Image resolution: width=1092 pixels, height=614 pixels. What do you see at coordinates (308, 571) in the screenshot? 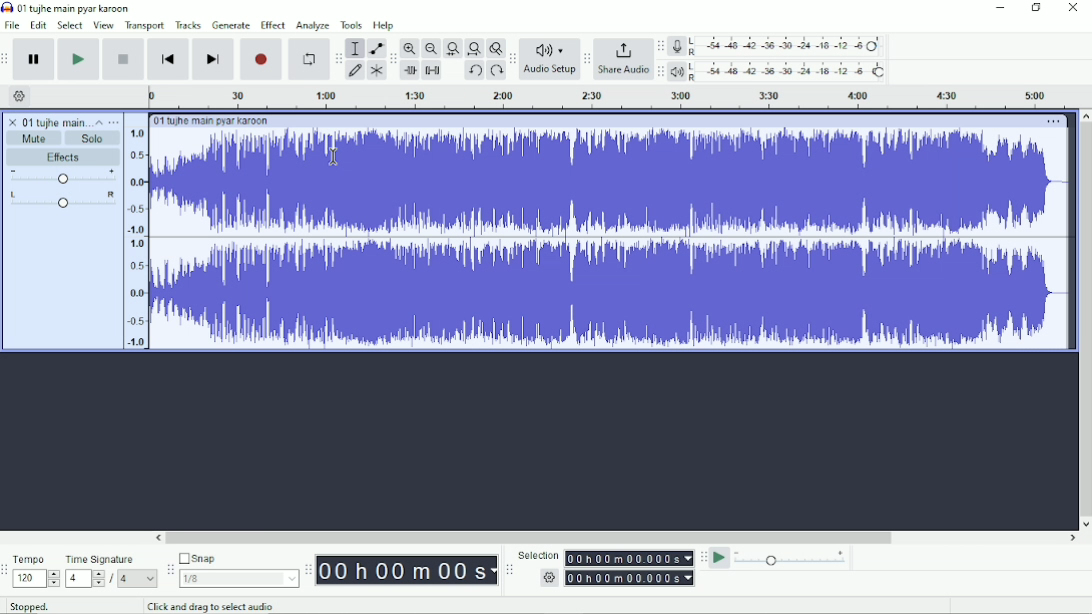
I see `Audacity timetoolbar` at bounding box center [308, 571].